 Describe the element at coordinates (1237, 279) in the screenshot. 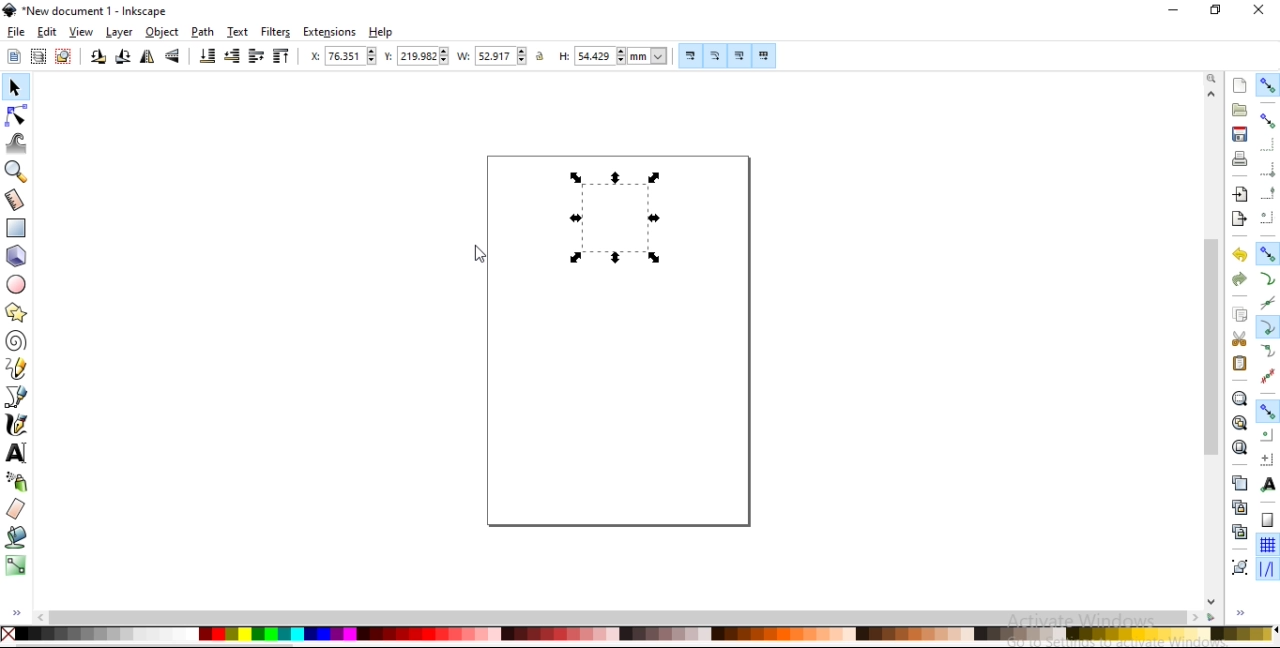

I see `redo` at that location.